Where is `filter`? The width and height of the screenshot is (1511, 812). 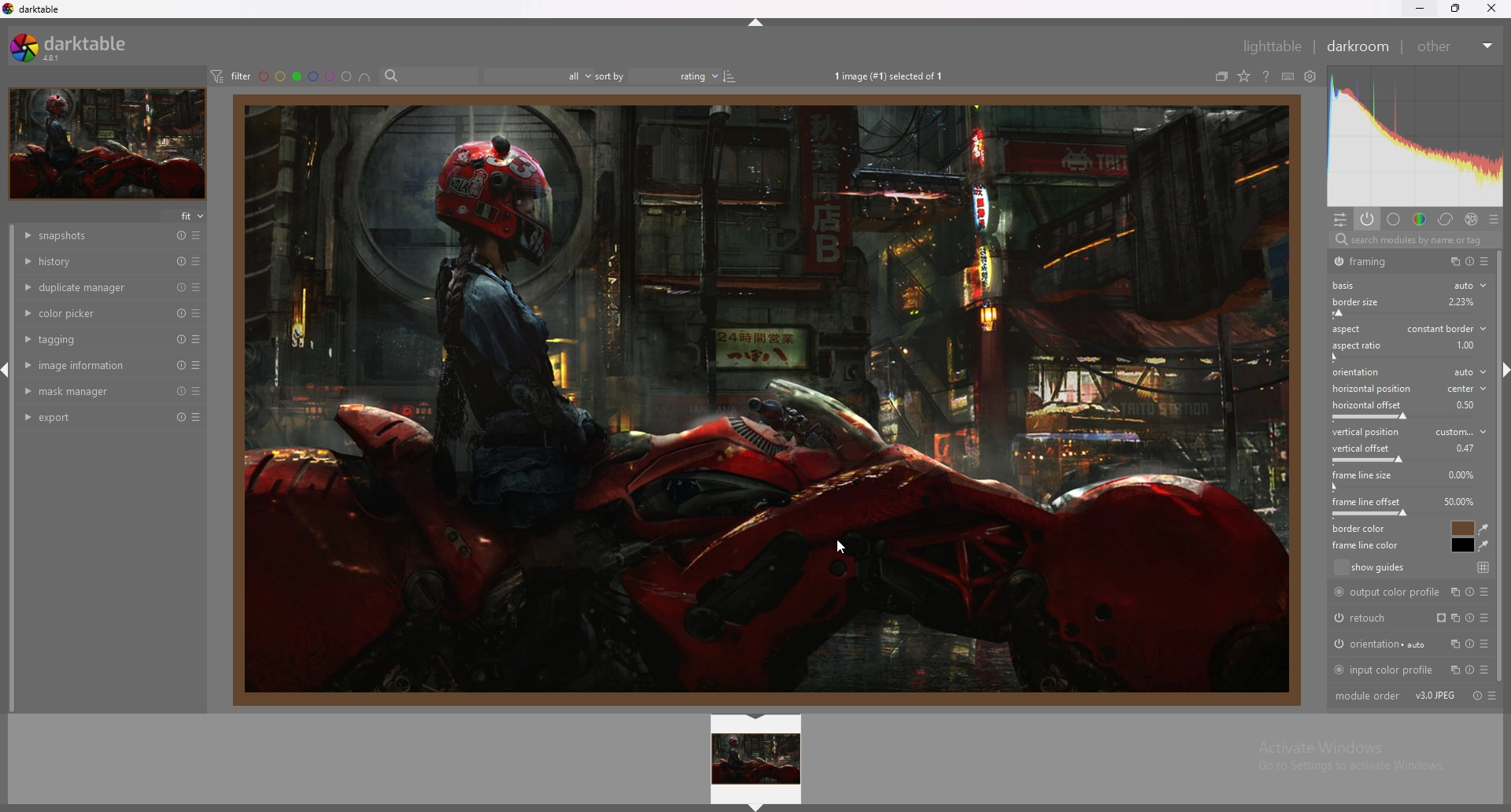 filter is located at coordinates (230, 76).